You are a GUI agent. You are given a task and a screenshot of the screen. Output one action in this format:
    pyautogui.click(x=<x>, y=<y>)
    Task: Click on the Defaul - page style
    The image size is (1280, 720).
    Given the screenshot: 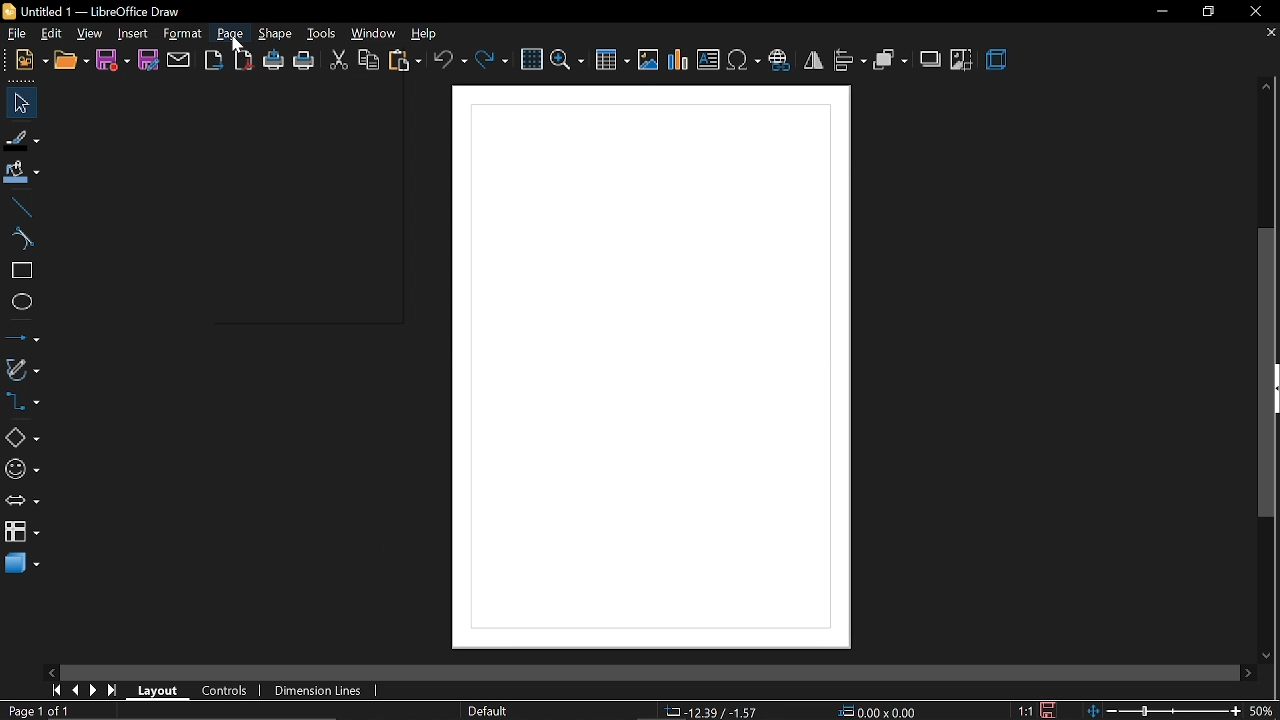 What is the action you would take?
    pyautogui.click(x=492, y=711)
    